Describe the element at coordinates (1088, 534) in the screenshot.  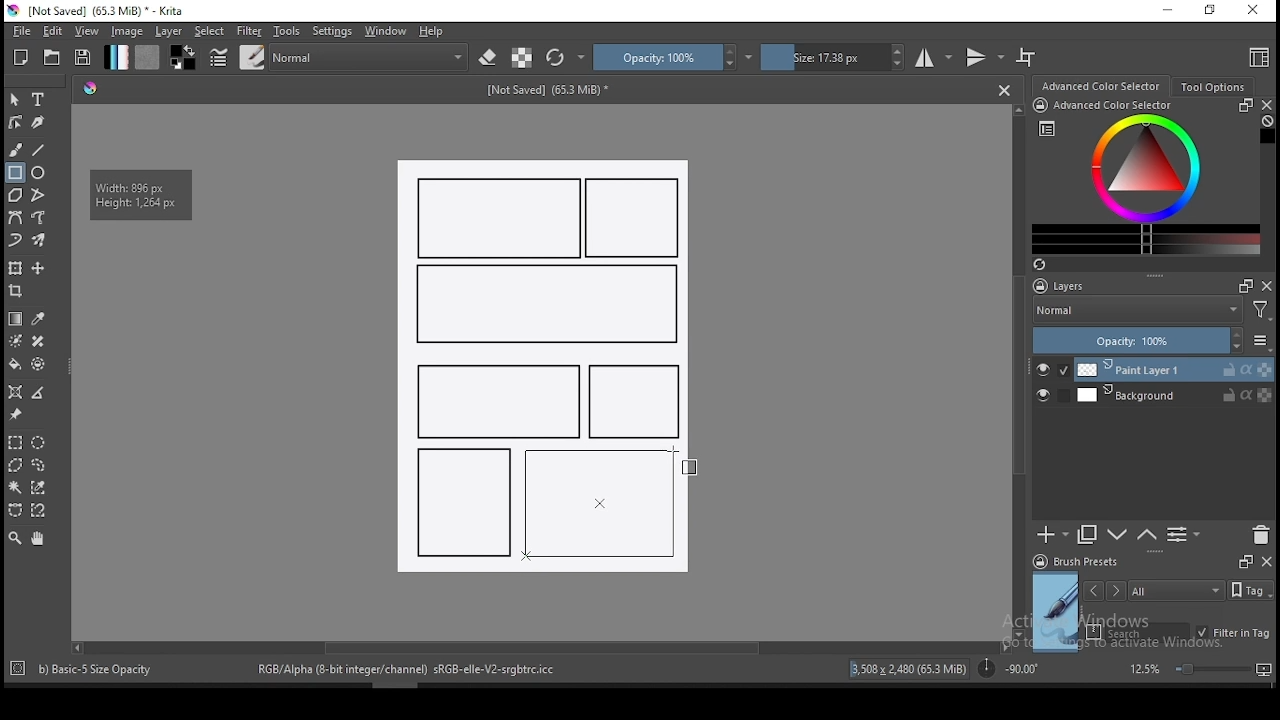
I see `duplicate layer` at that location.